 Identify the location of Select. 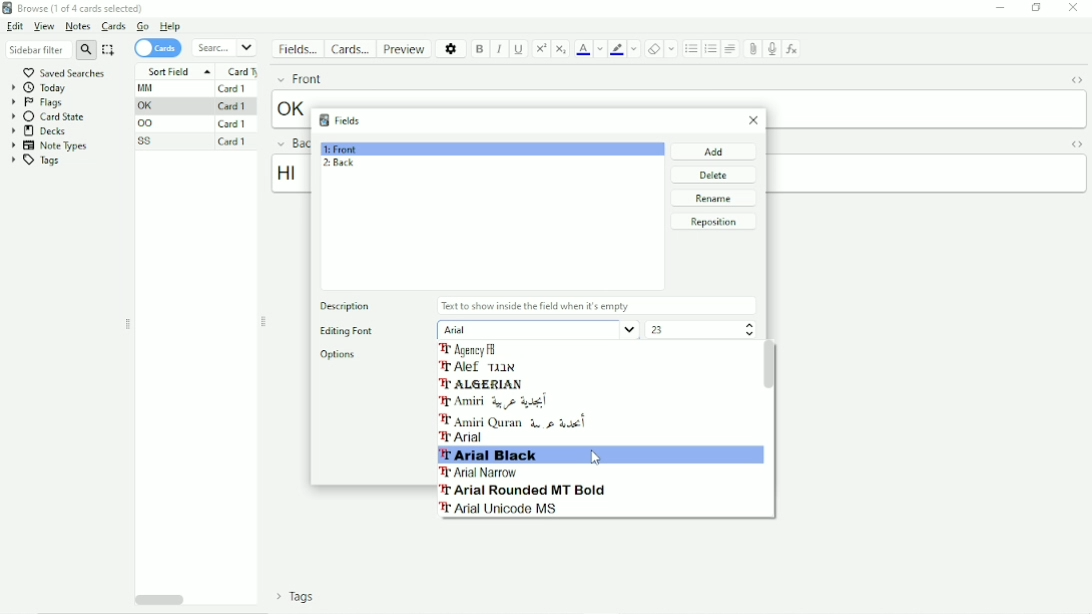
(109, 50).